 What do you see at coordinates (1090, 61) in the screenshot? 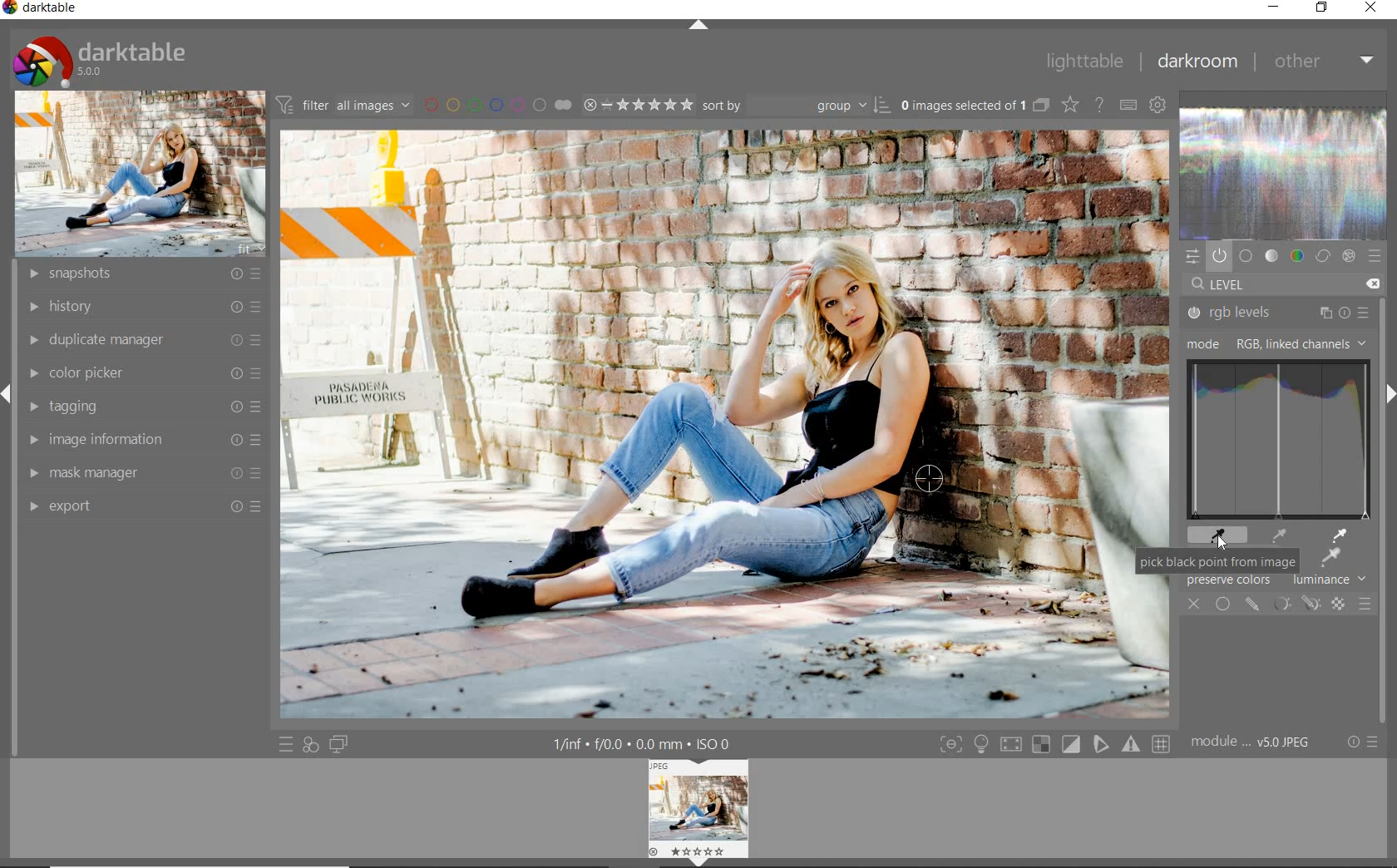
I see `lighttable` at bounding box center [1090, 61].